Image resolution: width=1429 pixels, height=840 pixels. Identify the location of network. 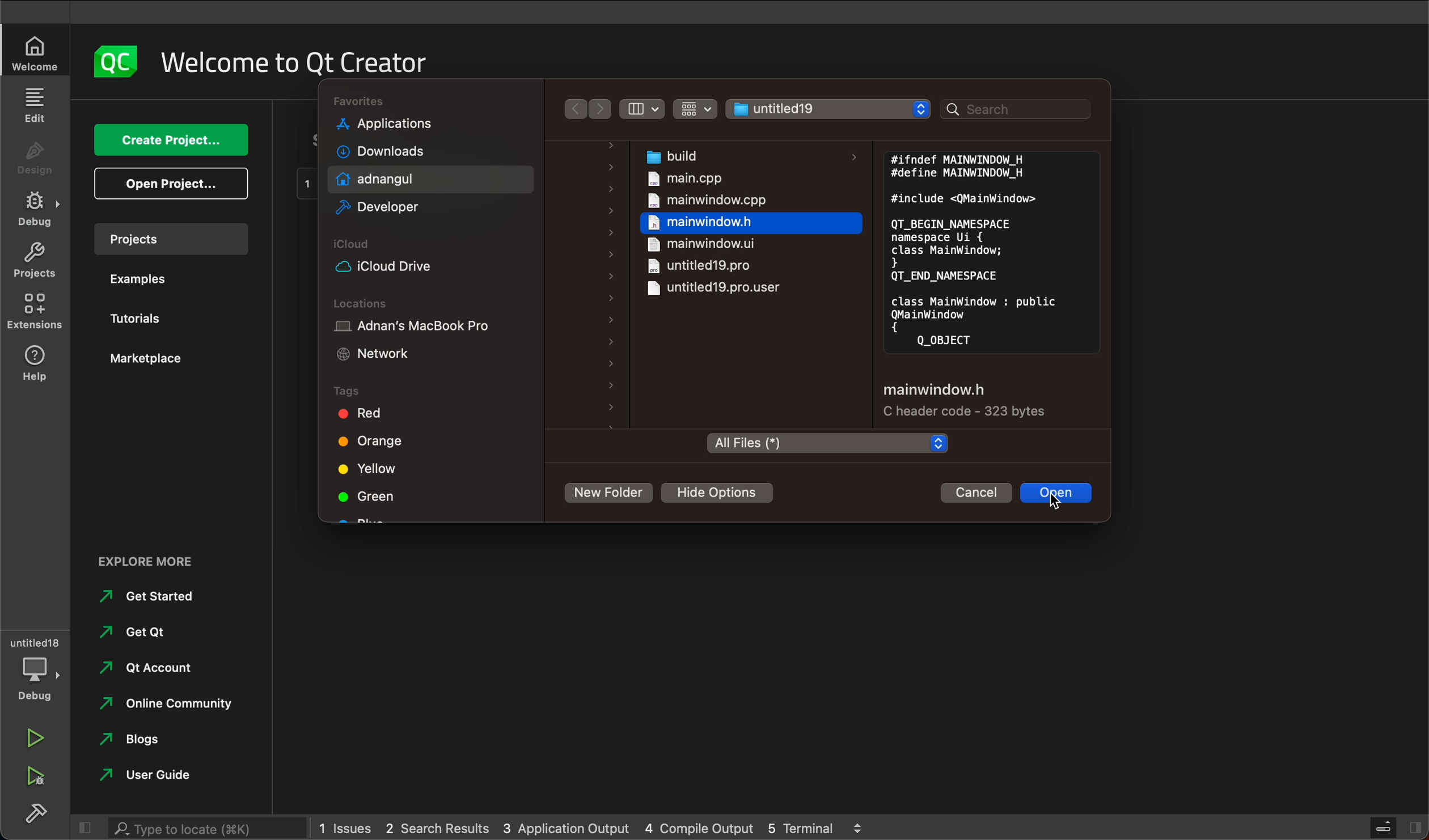
(383, 355).